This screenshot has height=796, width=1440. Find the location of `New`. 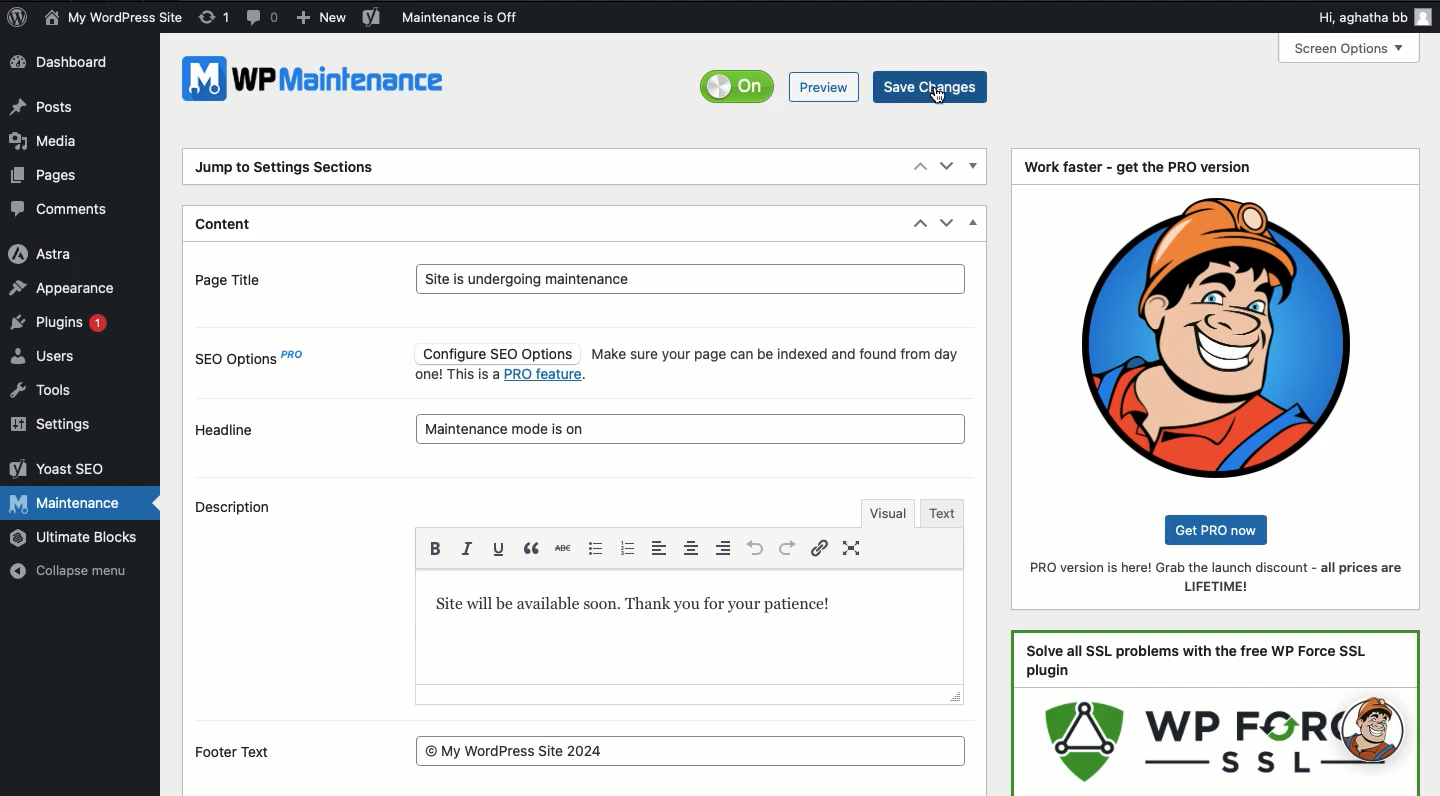

New is located at coordinates (322, 18).